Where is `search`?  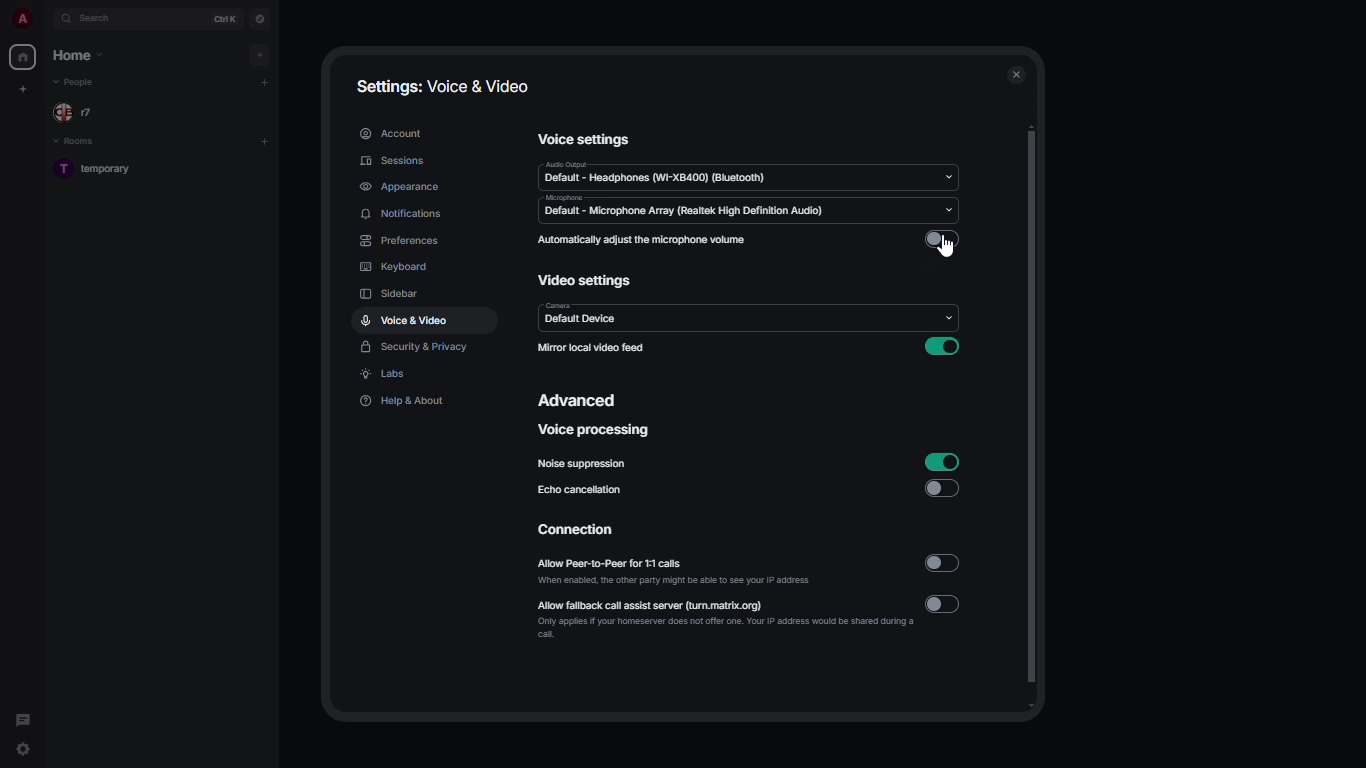 search is located at coordinates (98, 19).